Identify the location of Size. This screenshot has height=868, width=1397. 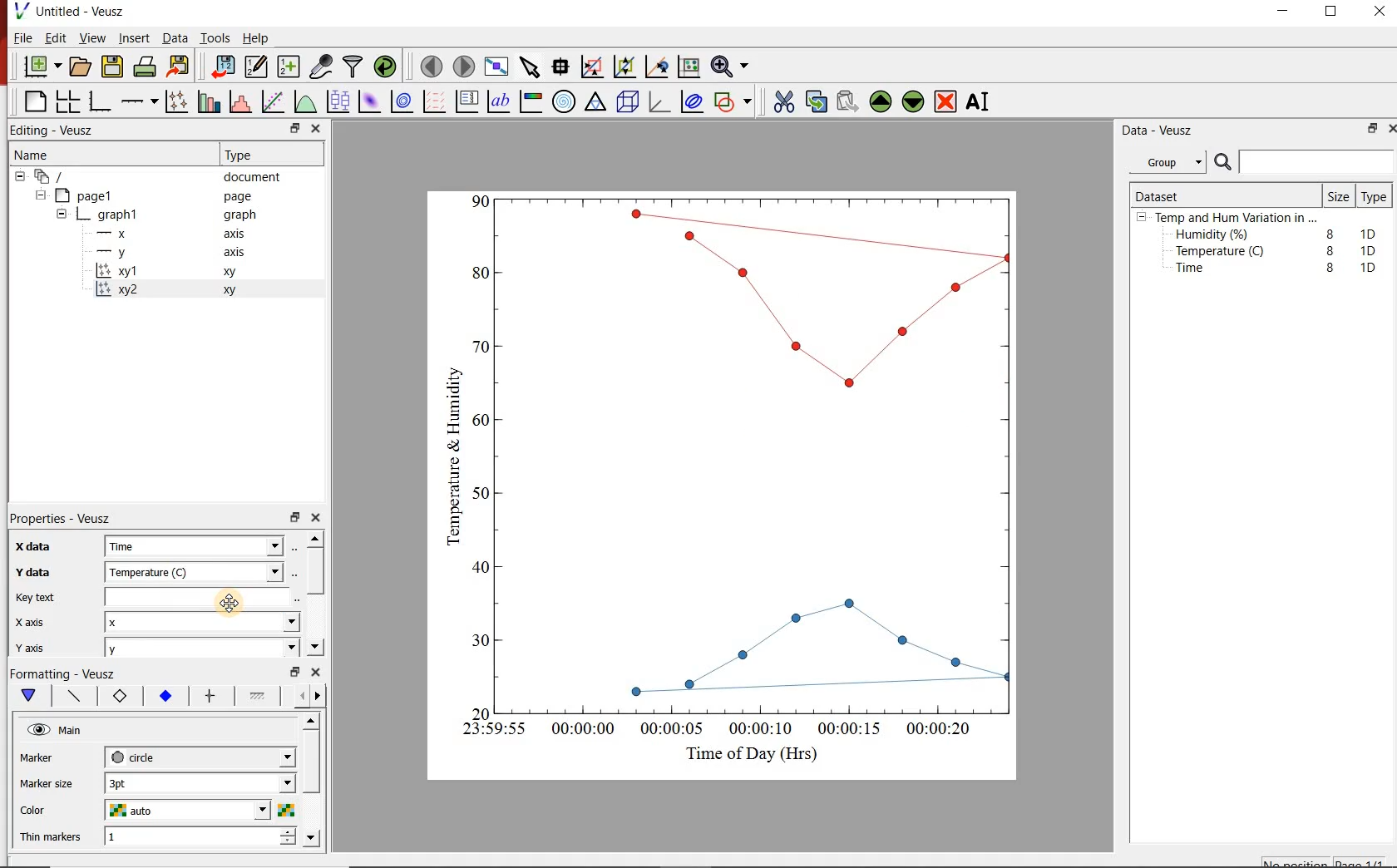
(1337, 195).